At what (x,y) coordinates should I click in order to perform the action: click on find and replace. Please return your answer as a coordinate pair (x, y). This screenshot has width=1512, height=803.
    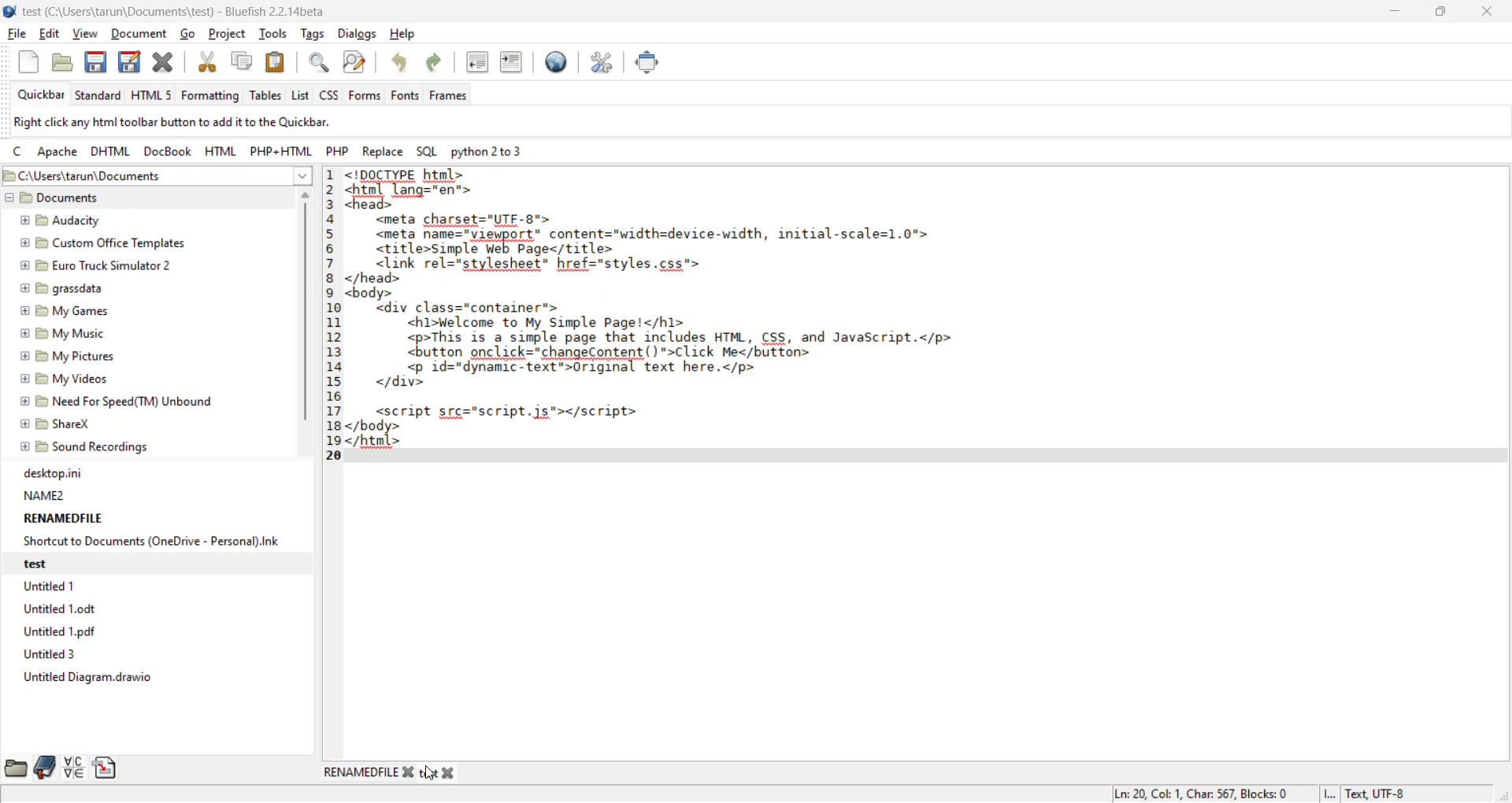
    Looking at the image, I should click on (358, 62).